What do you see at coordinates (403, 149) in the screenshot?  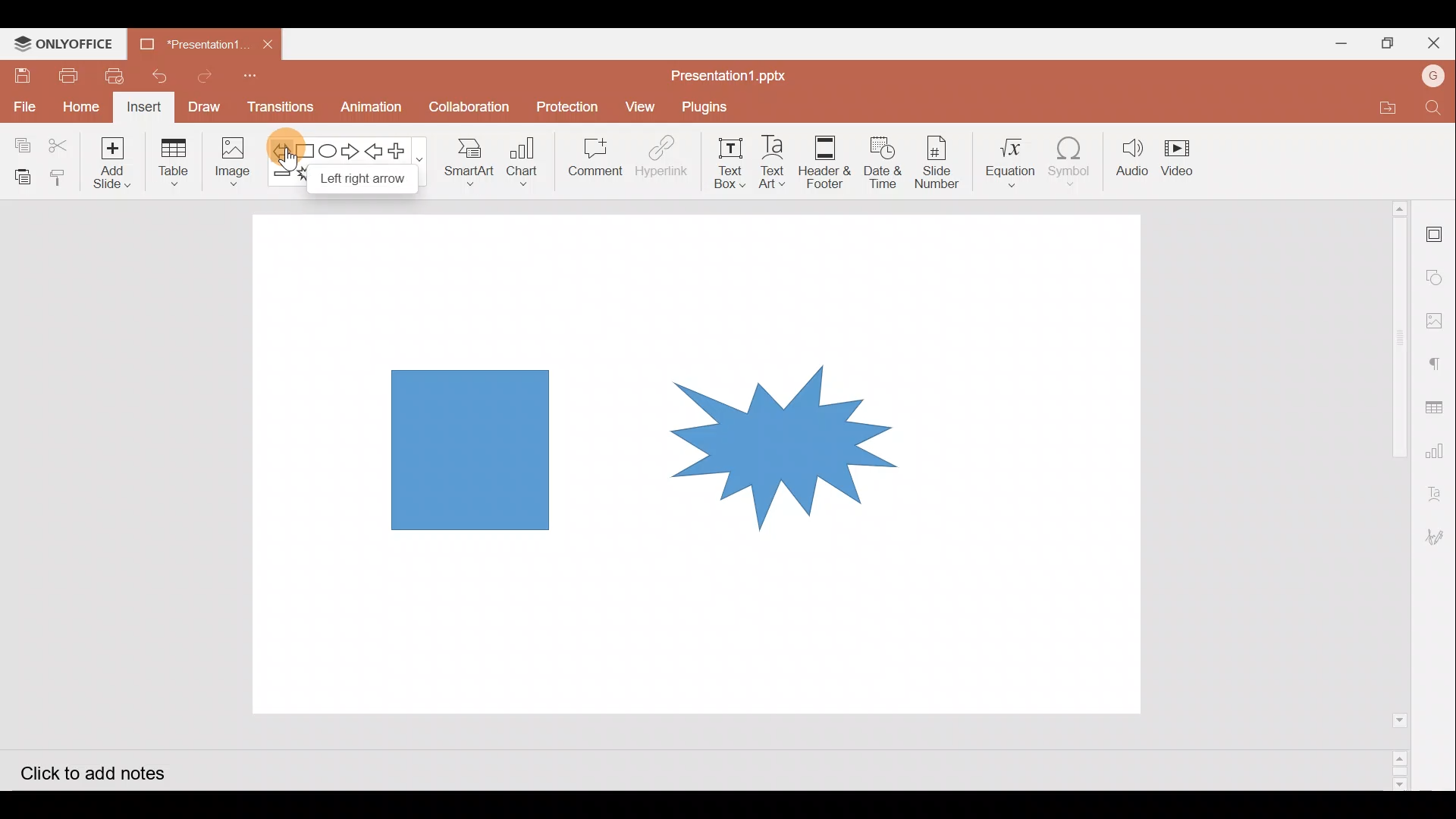 I see `Plus` at bounding box center [403, 149].